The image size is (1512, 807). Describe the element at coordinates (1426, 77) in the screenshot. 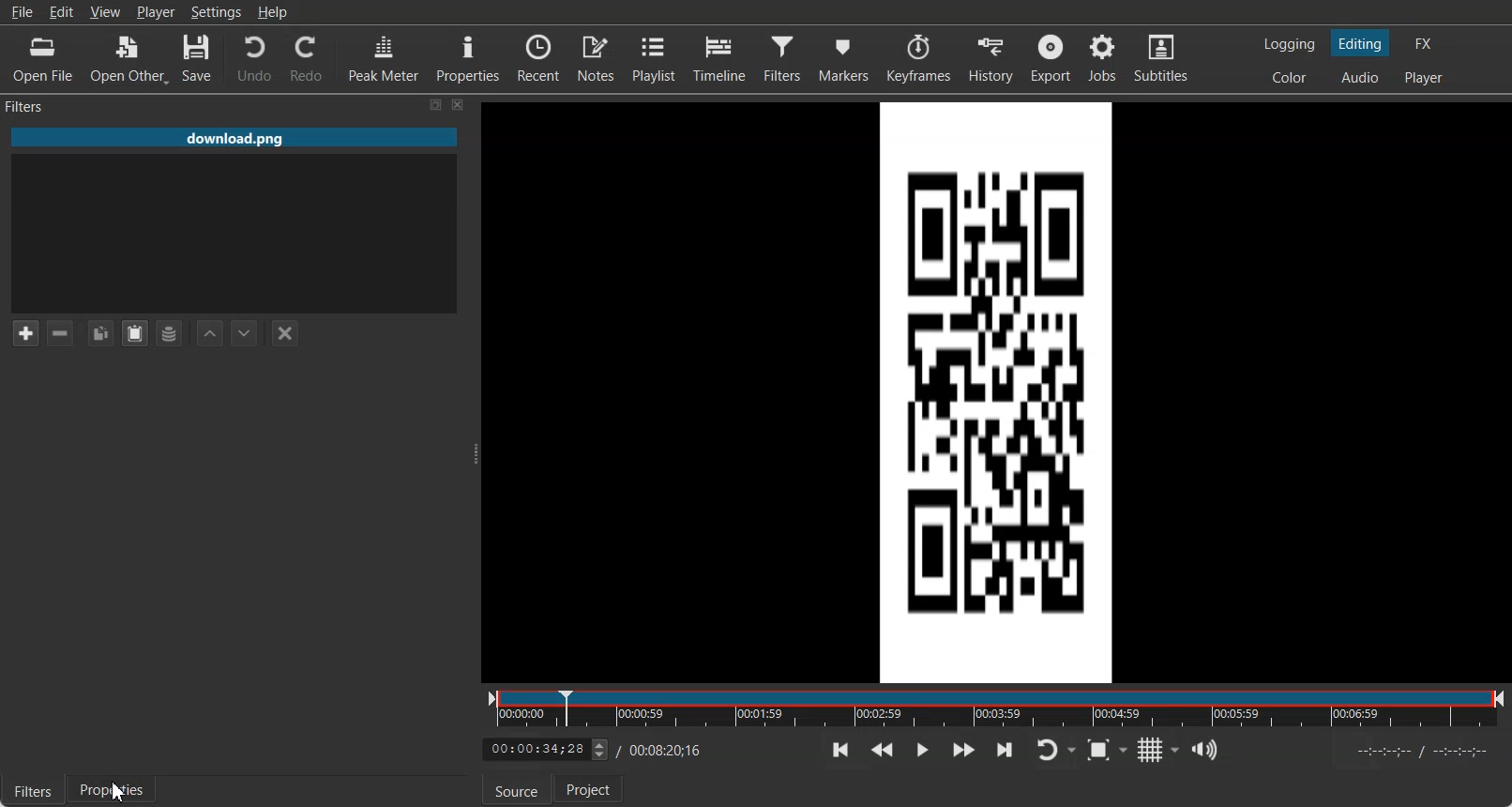

I see `Switch to Player one layout` at that location.